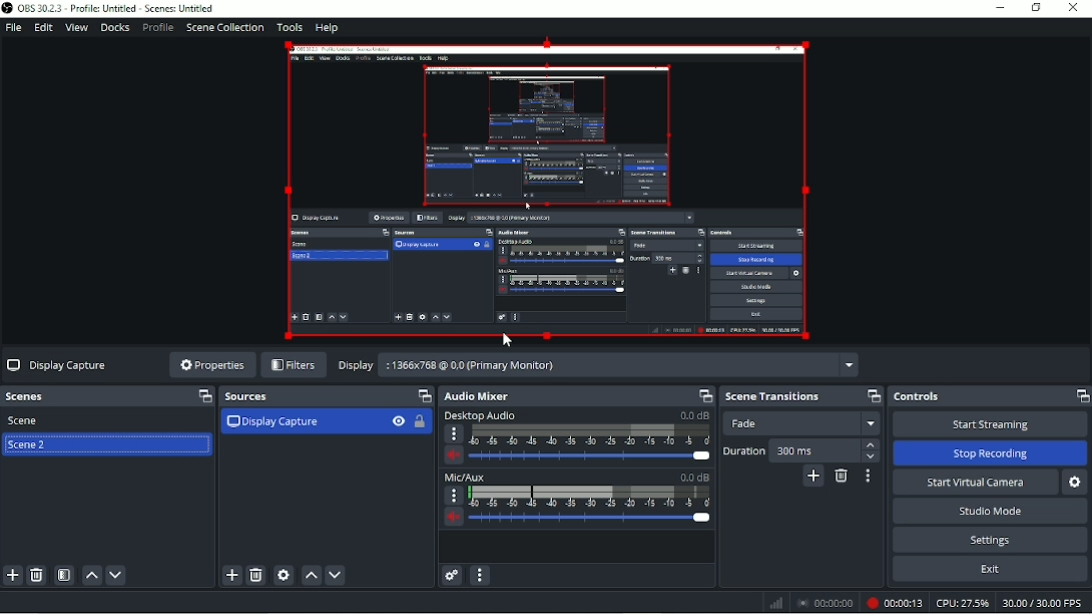 This screenshot has height=614, width=1092. I want to click on Video, so click(546, 191).